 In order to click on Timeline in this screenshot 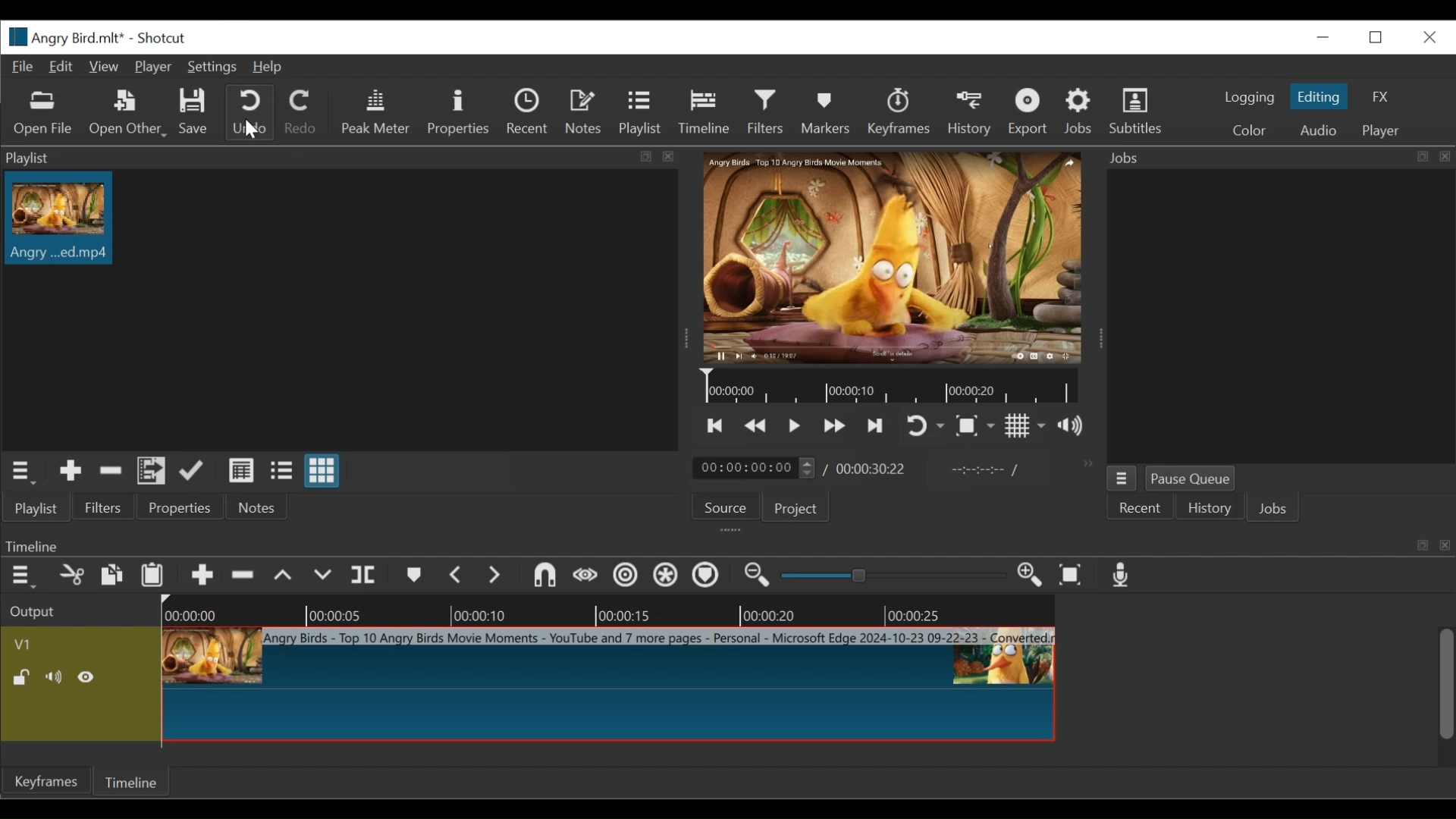, I will do `click(726, 544)`.